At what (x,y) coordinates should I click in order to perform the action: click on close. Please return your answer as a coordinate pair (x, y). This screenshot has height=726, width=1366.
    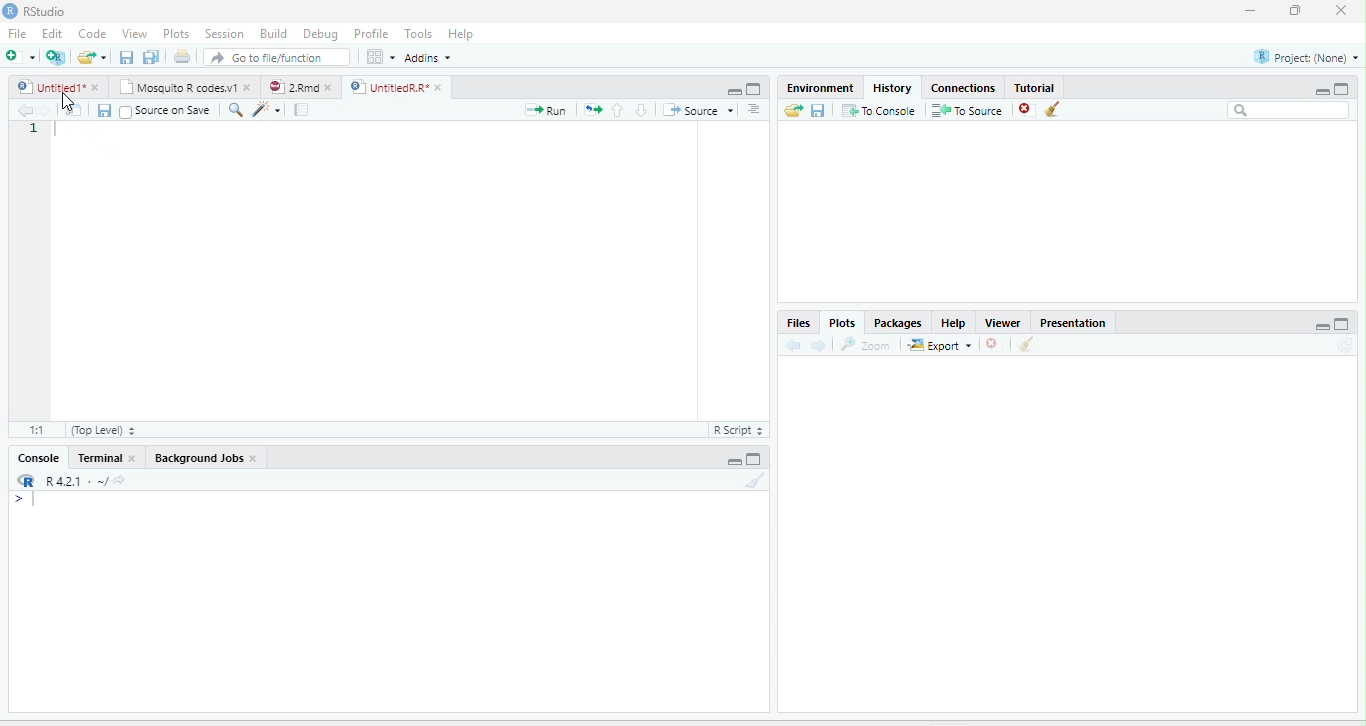
    Looking at the image, I should click on (131, 458).